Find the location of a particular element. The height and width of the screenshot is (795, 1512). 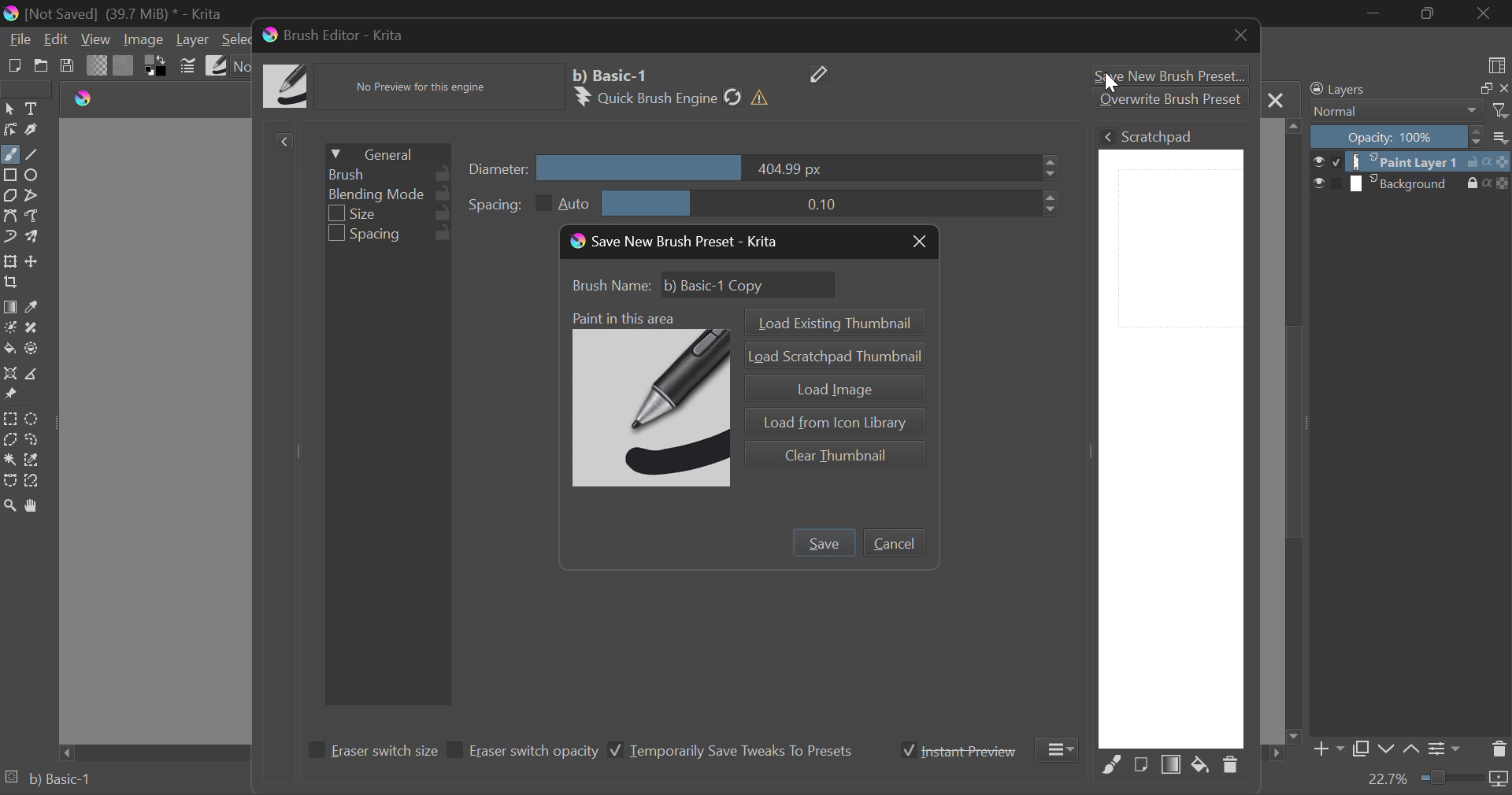

Move Layer Up is located at coordinates (1411, 751).